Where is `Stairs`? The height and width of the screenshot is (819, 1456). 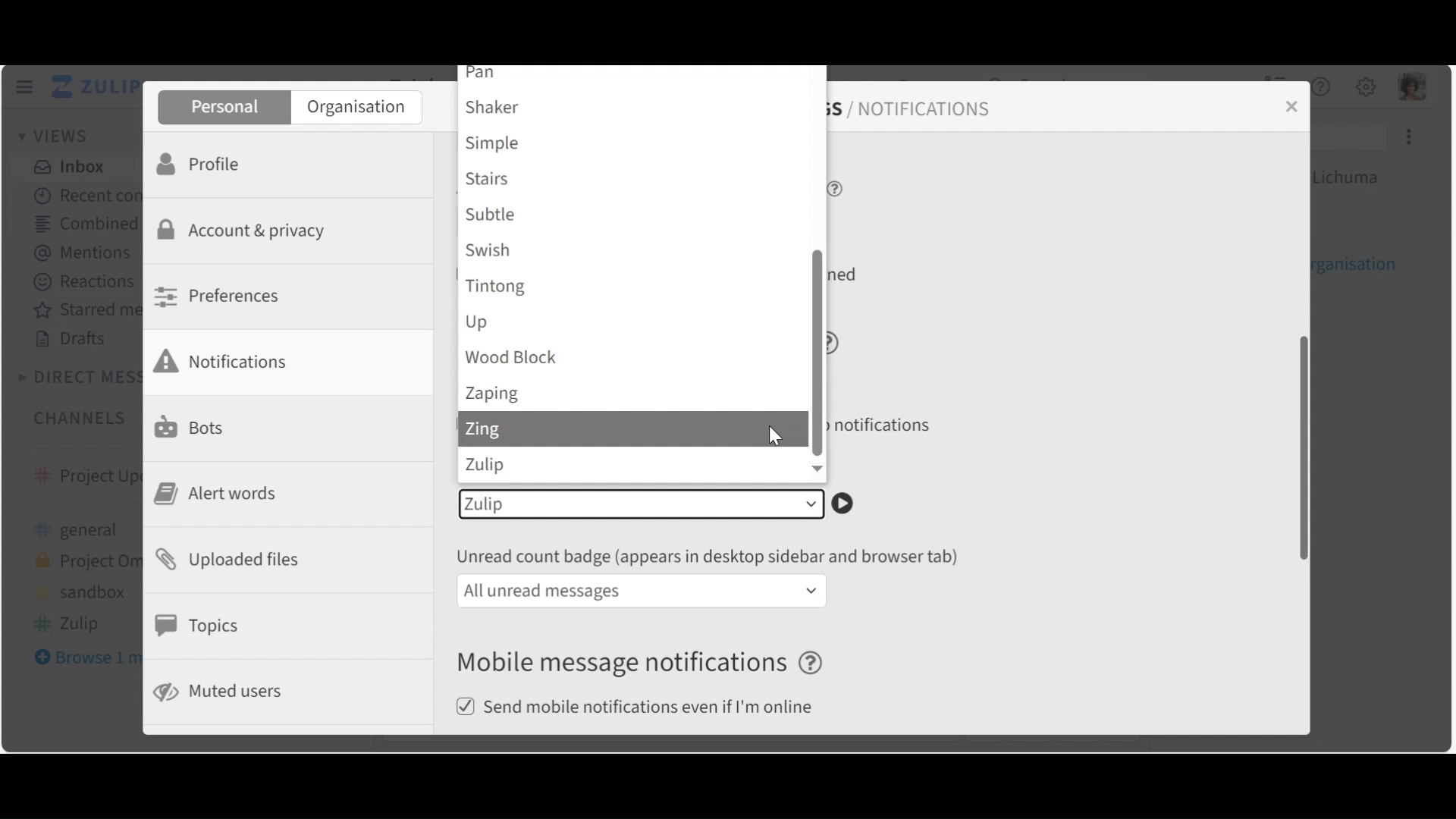 Stairs is located at coordinates (635, 180).